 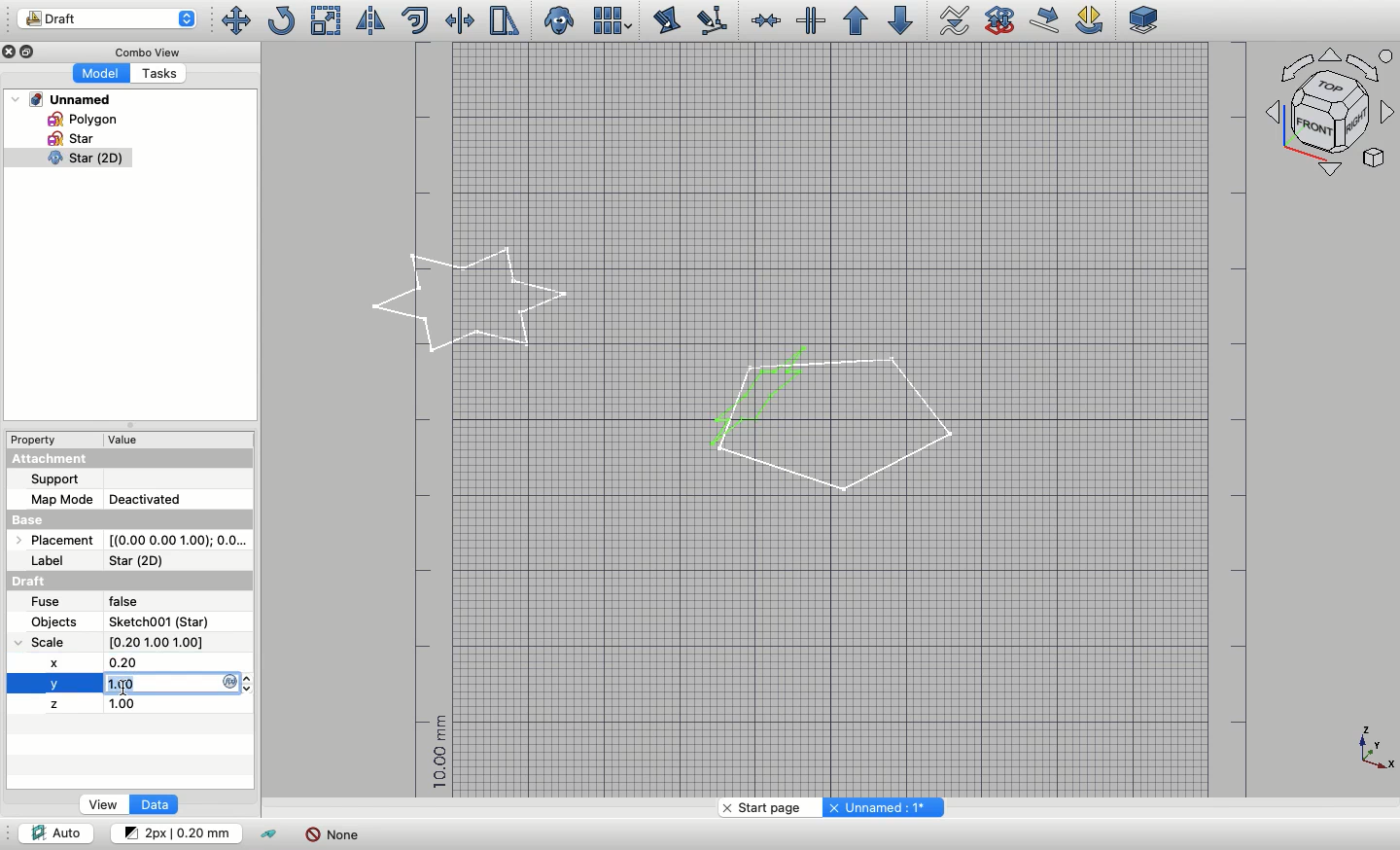 I want to click on Scale, so click(x=52, y=642).